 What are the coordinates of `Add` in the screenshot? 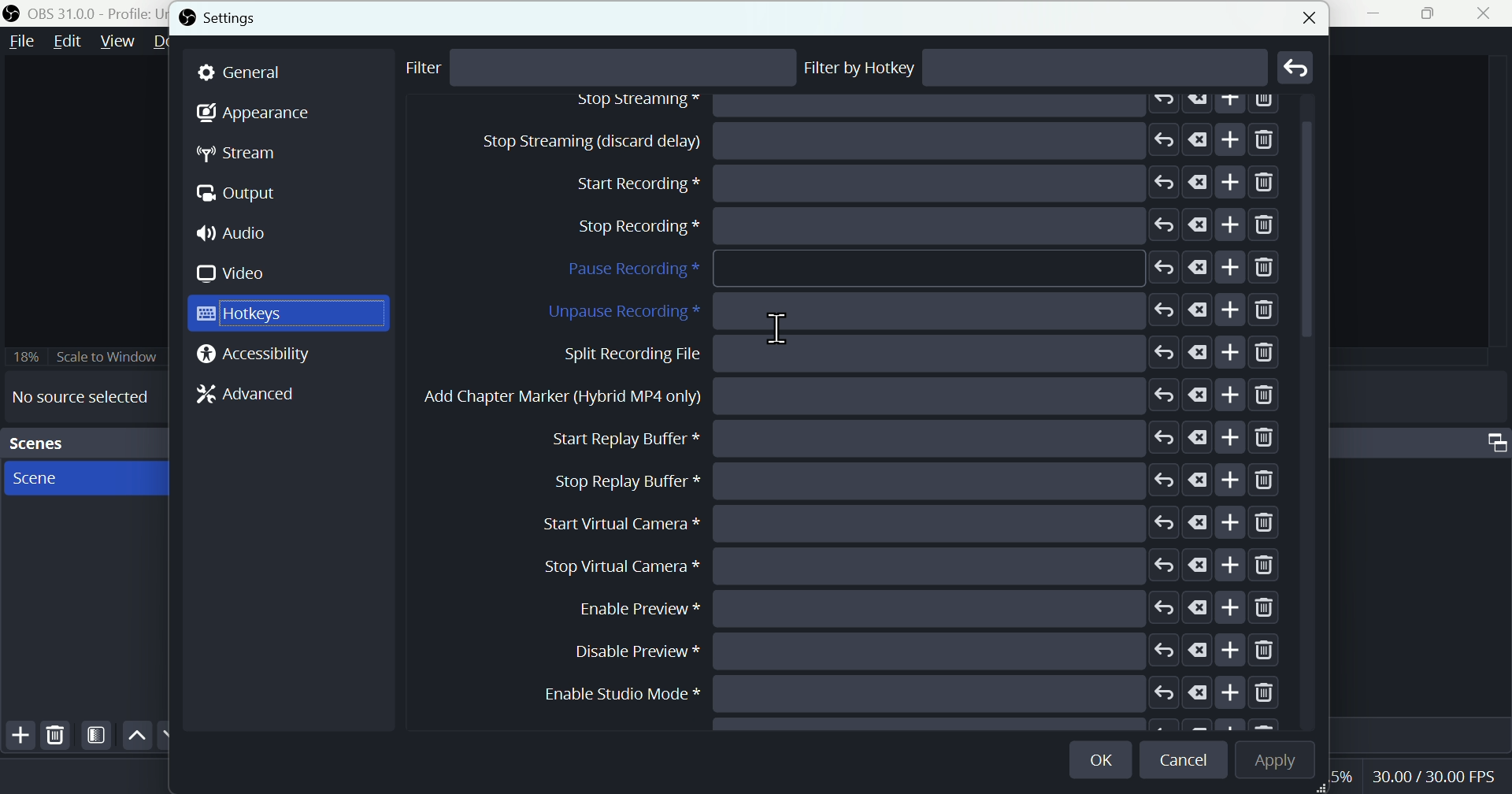 It's located at (17, 738).